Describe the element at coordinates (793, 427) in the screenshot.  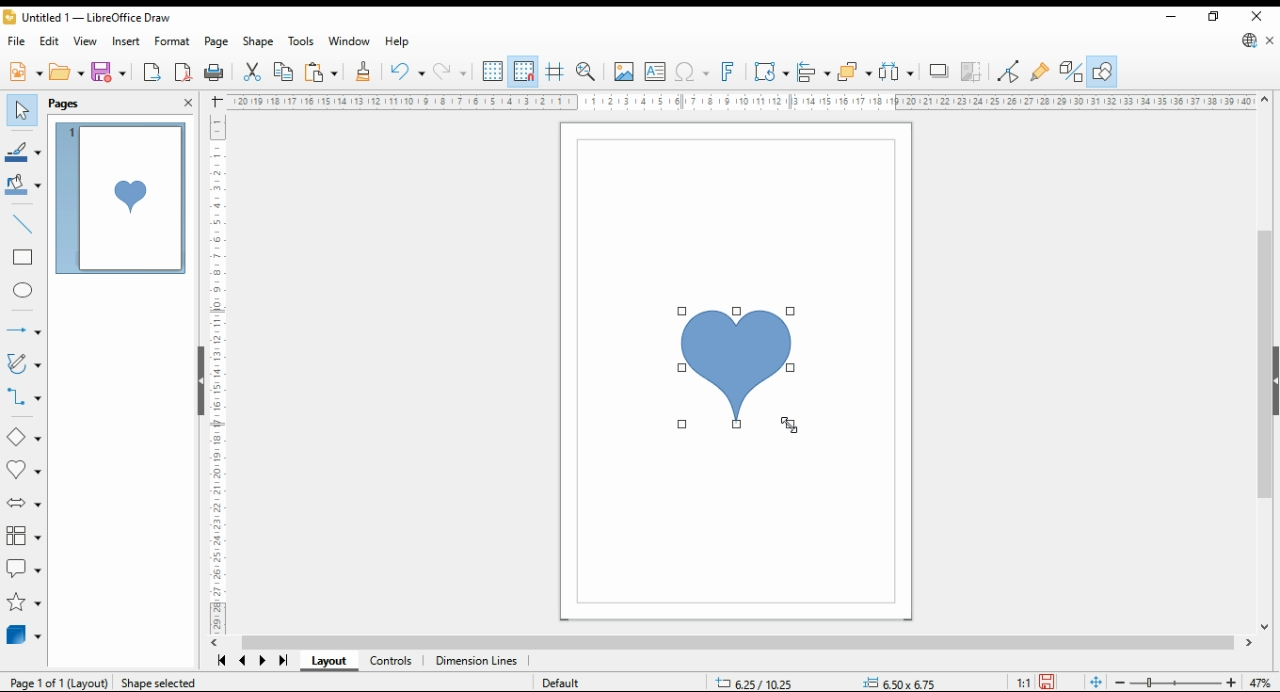
I see `mouse pointer` at that location.